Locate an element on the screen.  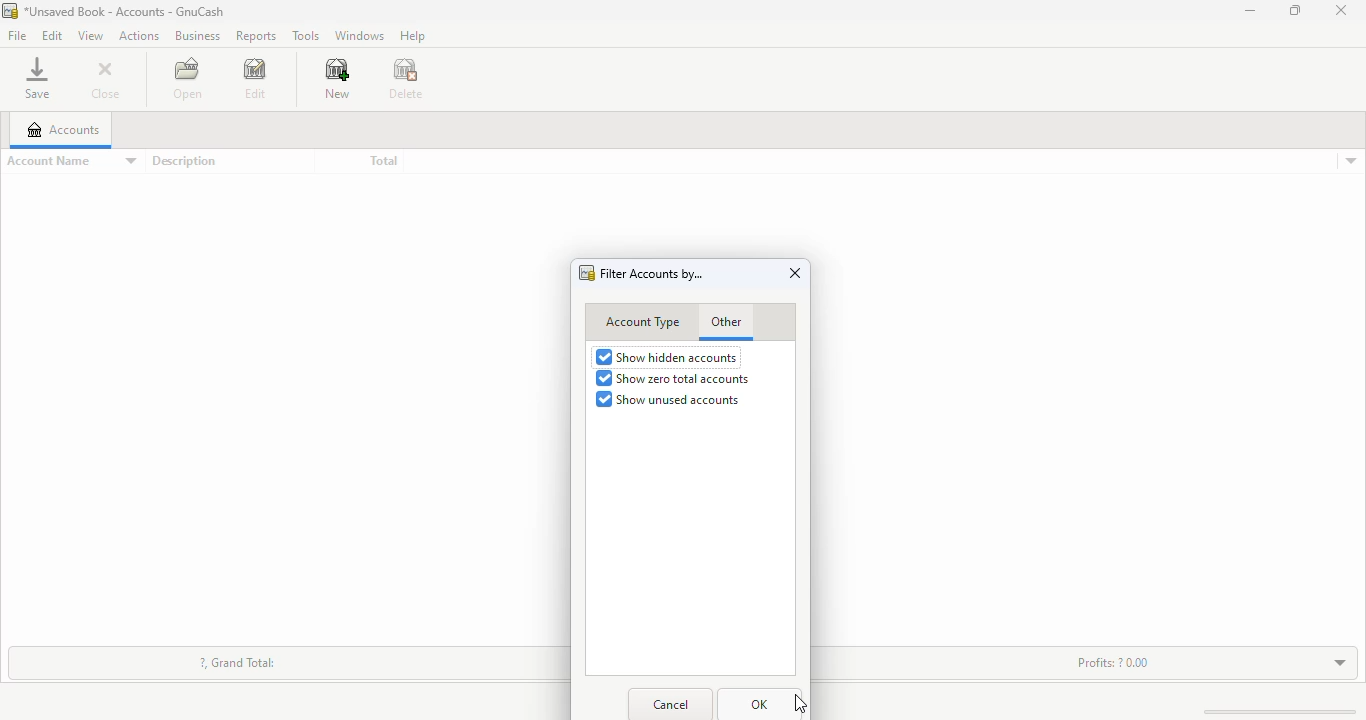
close is located at coordinates (796, 273).